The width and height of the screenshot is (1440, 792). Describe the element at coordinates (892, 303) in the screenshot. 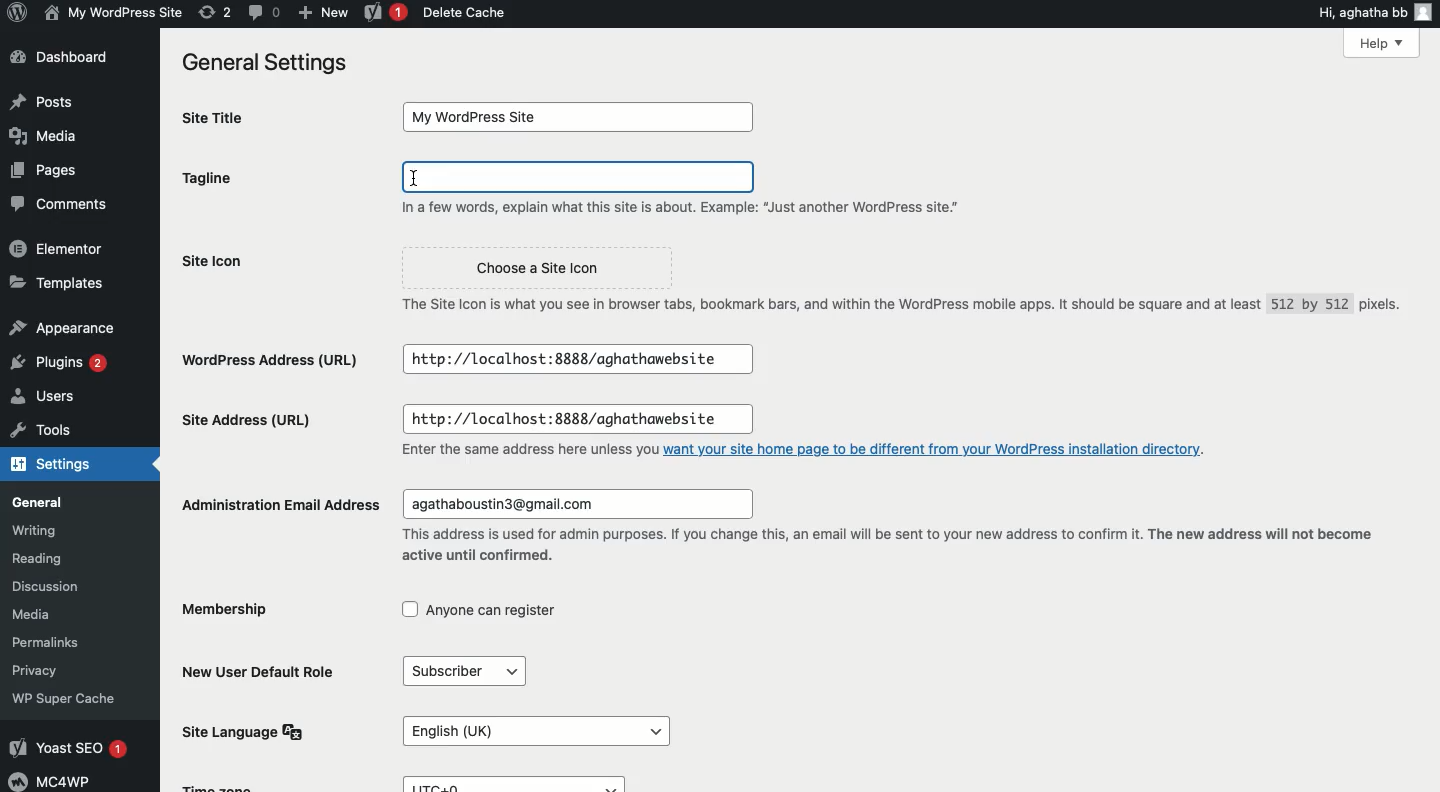

I see `The Site Icon is what you see in browser tabs, bookmark bars, and within the WordPress mobile apps. It should be square and at least 512 by 512 pixels.` at that location.